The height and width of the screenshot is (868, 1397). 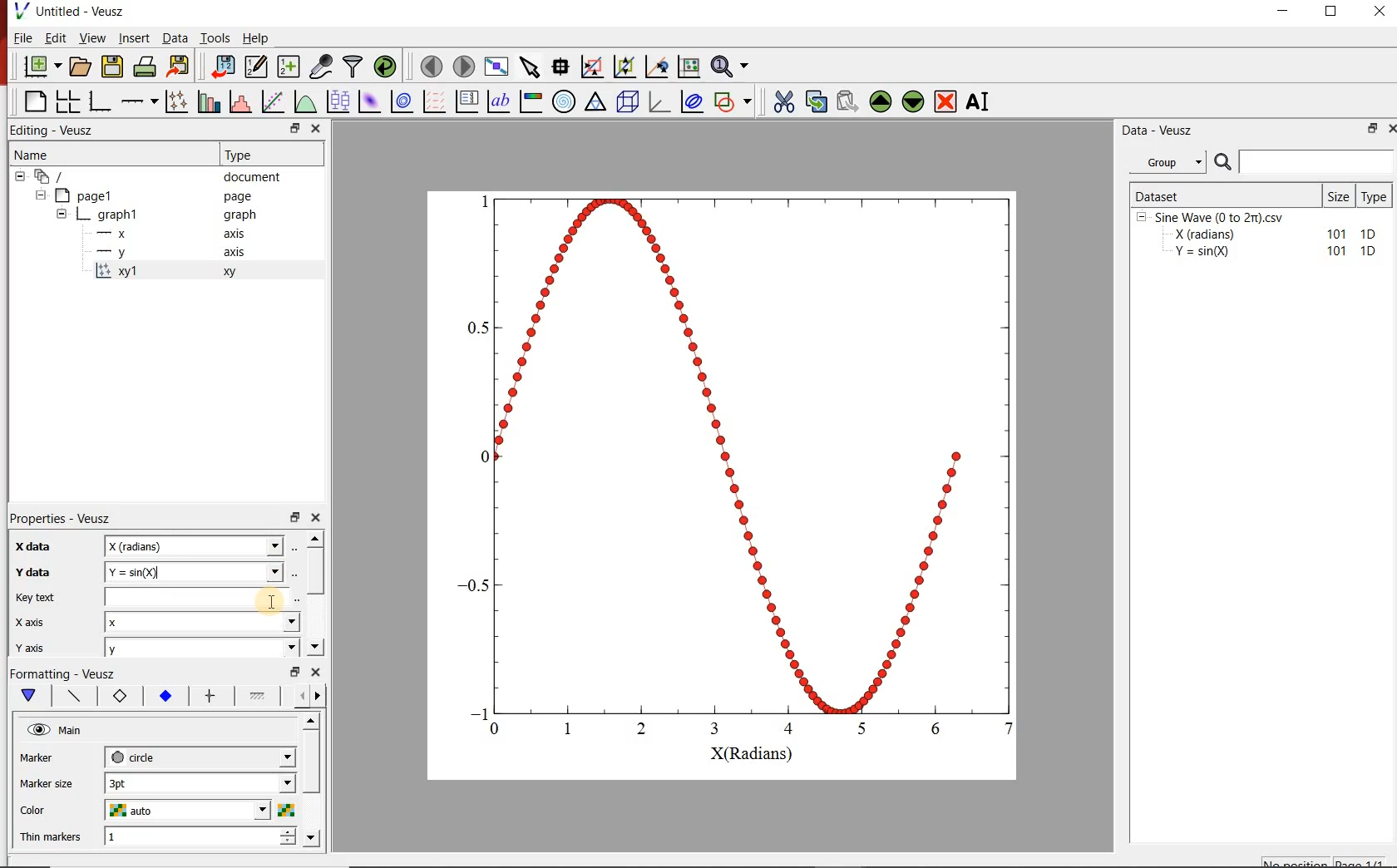 I want to click on print, so click(x=146, y=67).